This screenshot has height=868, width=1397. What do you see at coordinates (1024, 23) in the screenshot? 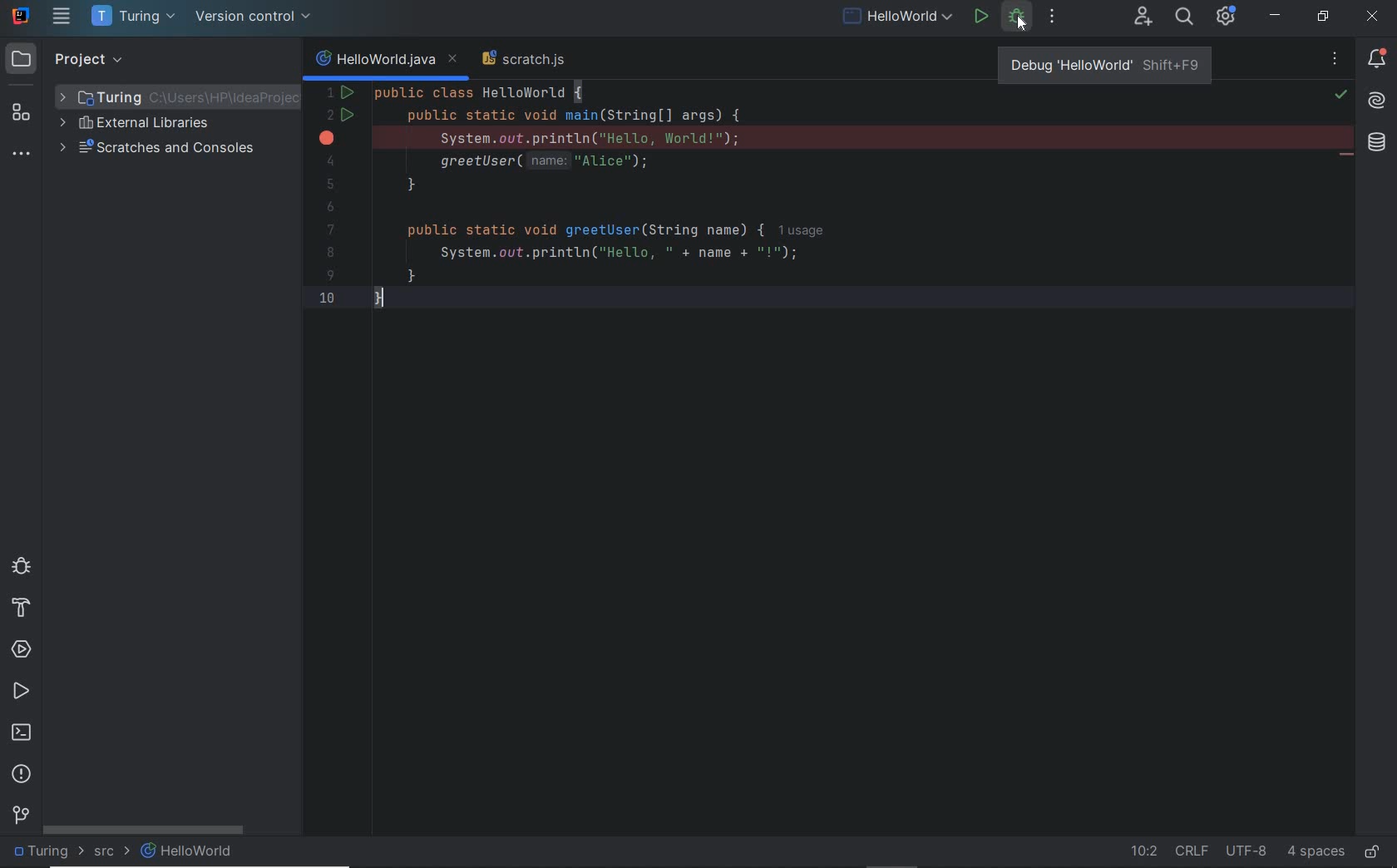
I see `cursor` at bounding box center [1024, 23].